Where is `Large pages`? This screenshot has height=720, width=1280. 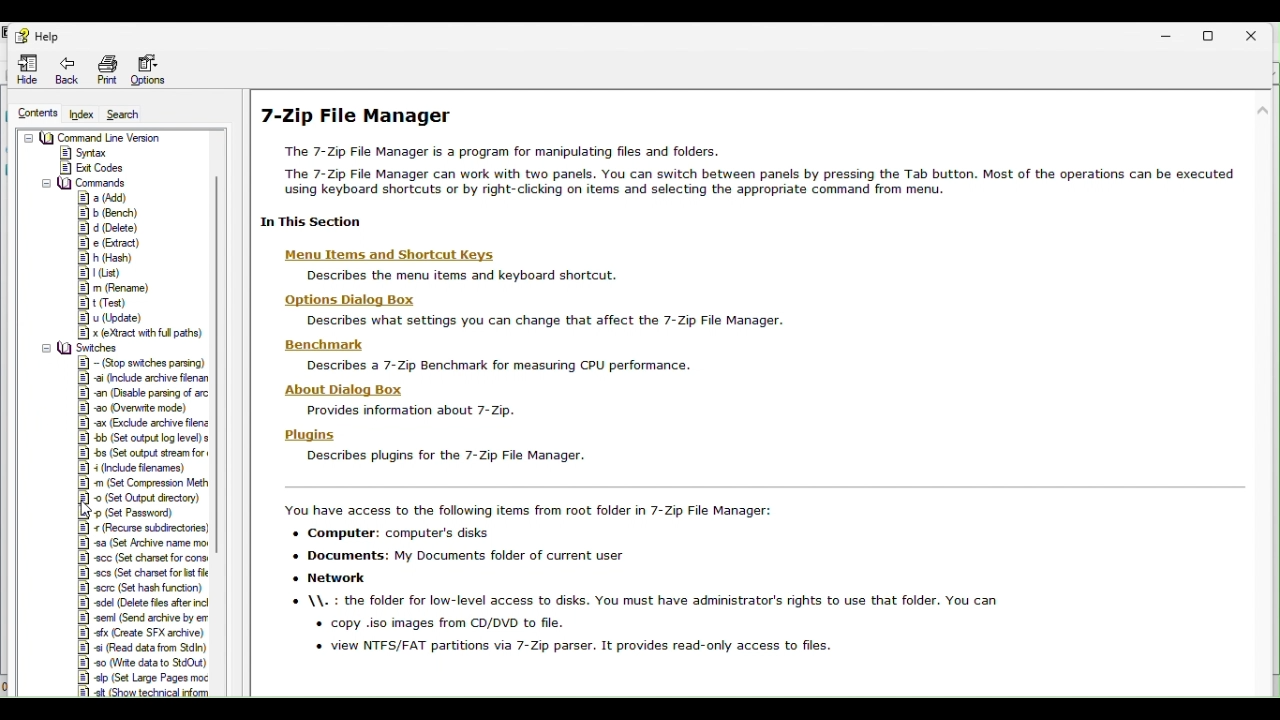
Large pages is located at coordinates (146, 679).